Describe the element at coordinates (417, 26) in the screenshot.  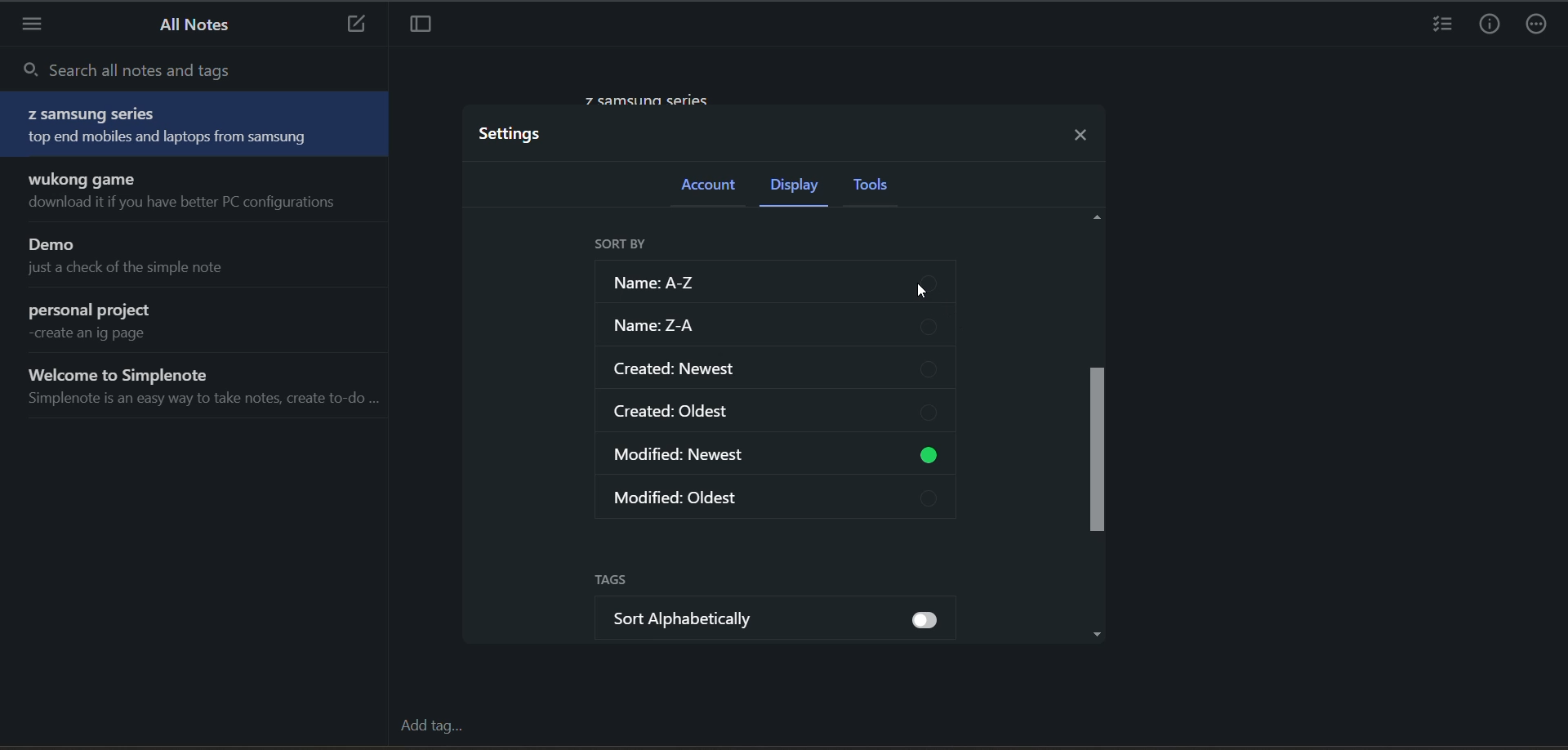
I see `toggle focus mode` at that location.